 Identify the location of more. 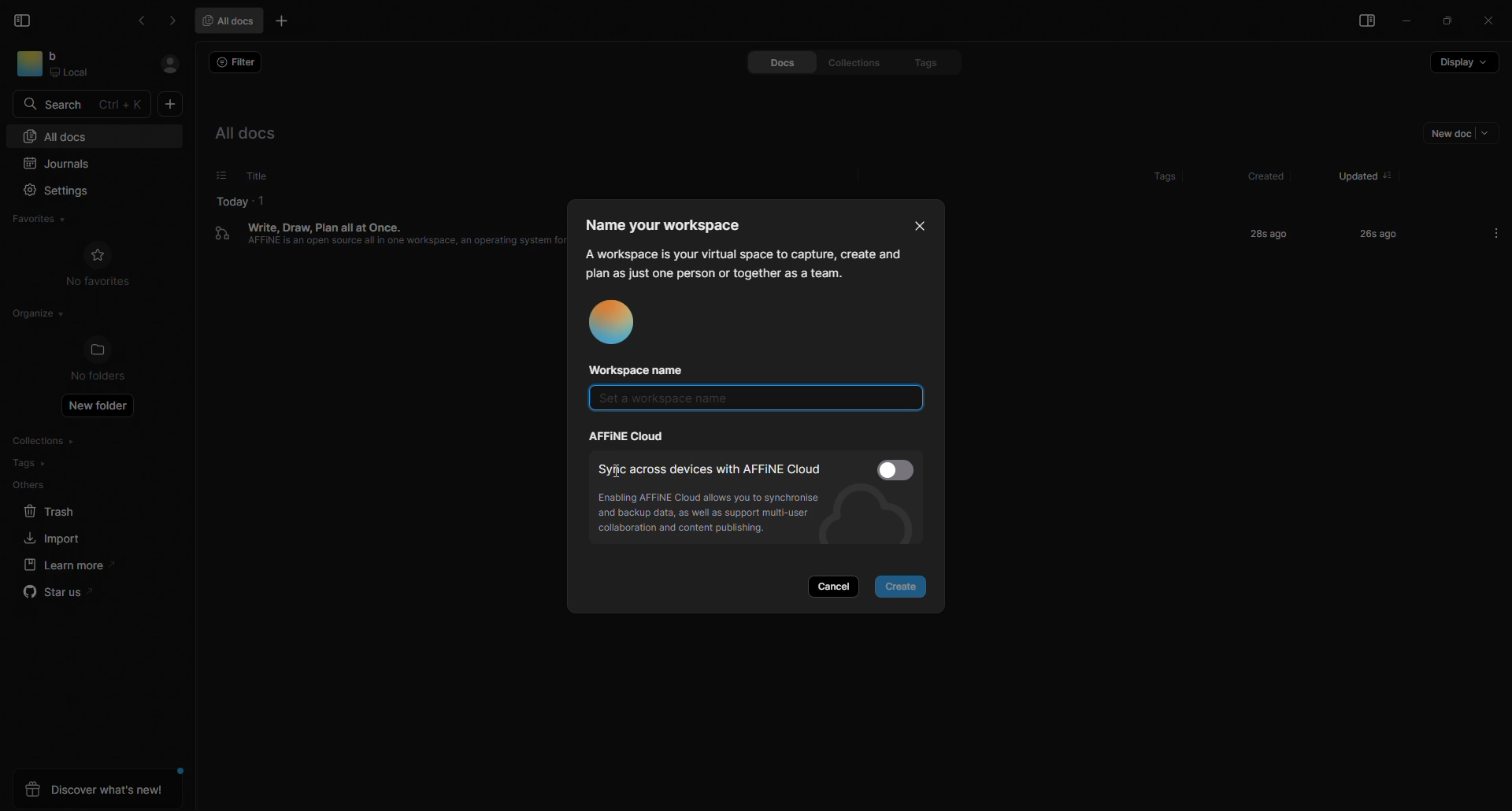
(1496, 232).